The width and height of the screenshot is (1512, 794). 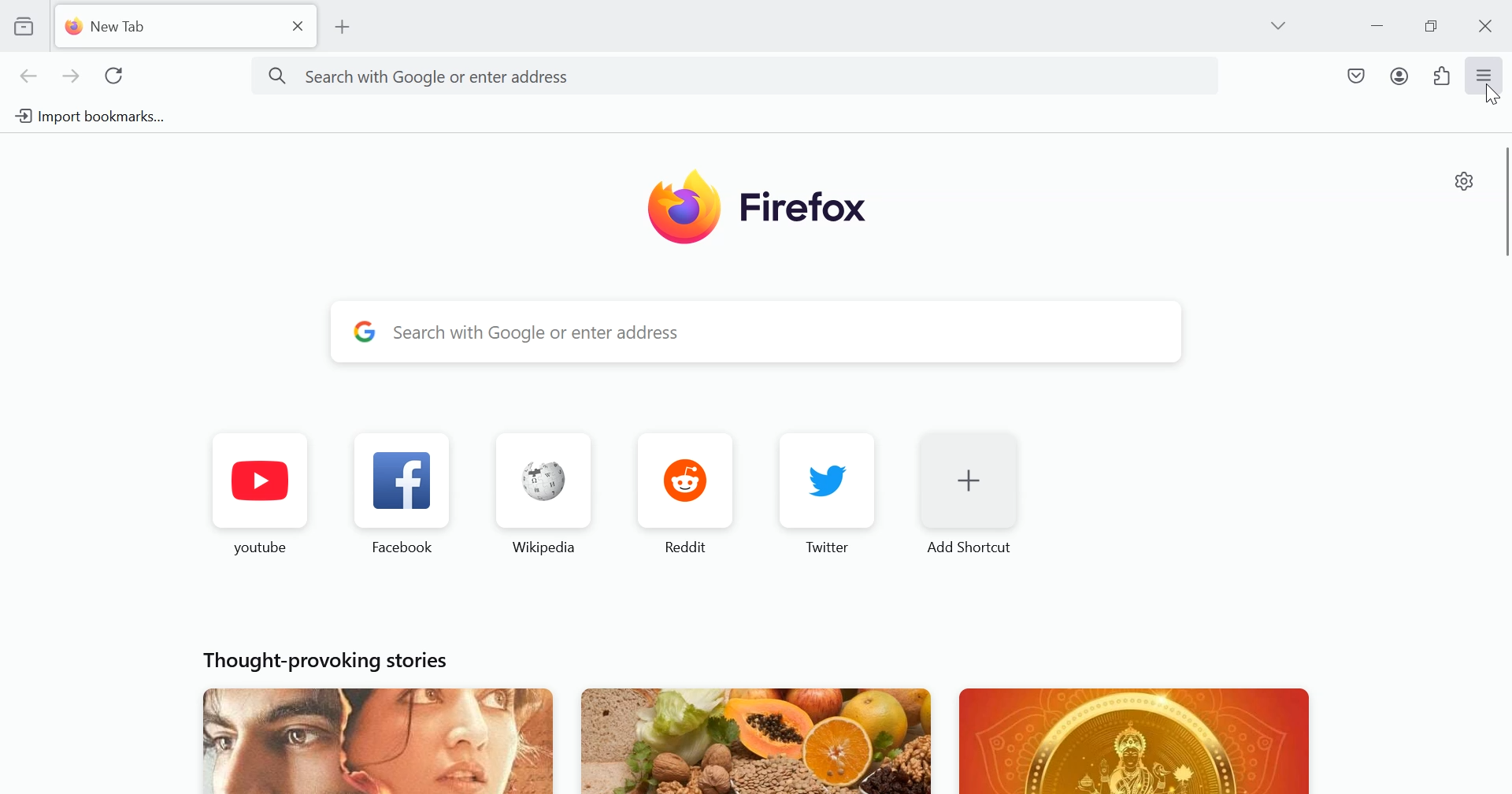 What do you see at coordinates (1357, 76) in the screenshot?
I see `Save to Pocket` at bounding box center [1357, 76].